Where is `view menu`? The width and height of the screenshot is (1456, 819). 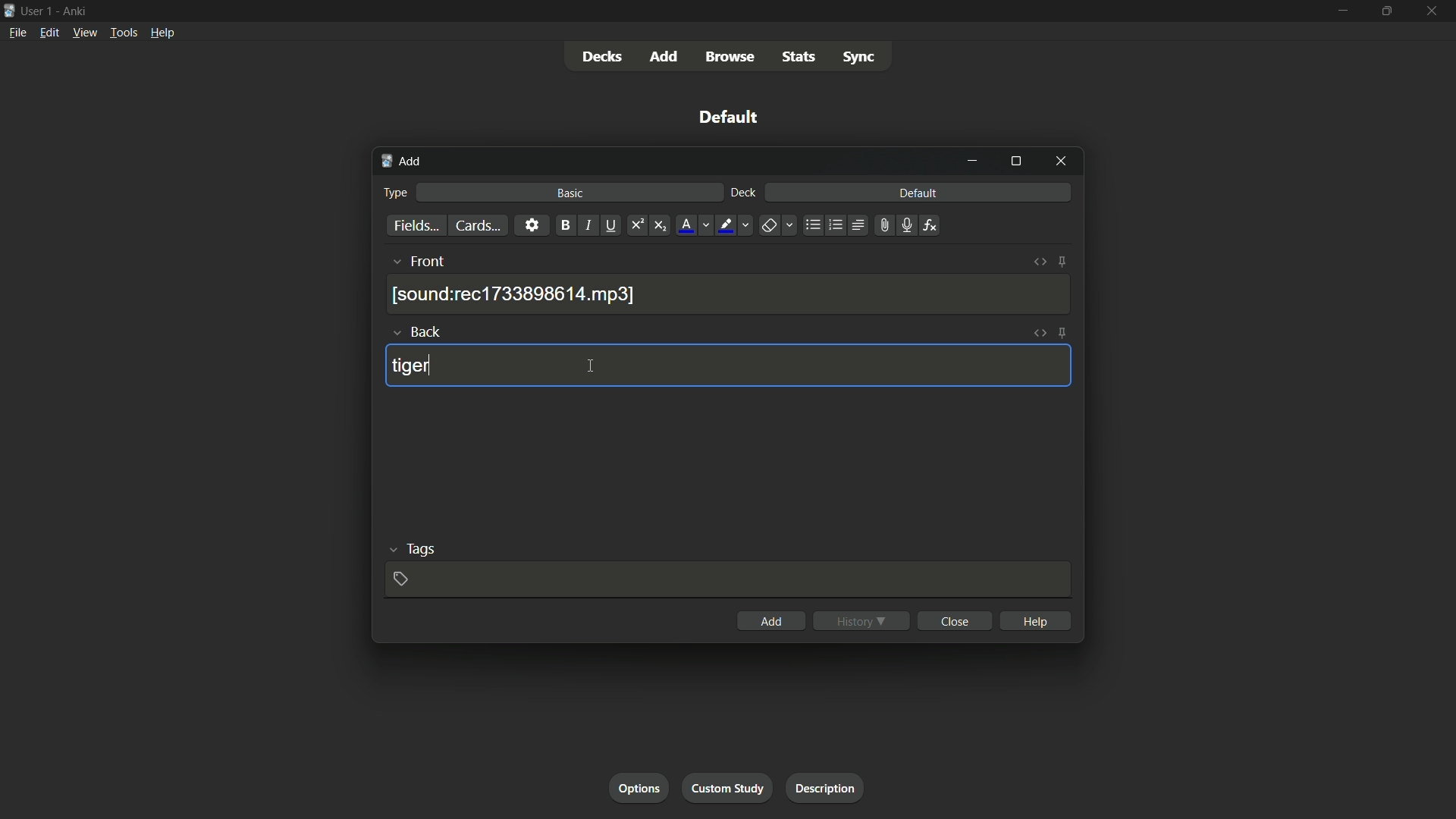 view menu is located at coordinates (85, 33).